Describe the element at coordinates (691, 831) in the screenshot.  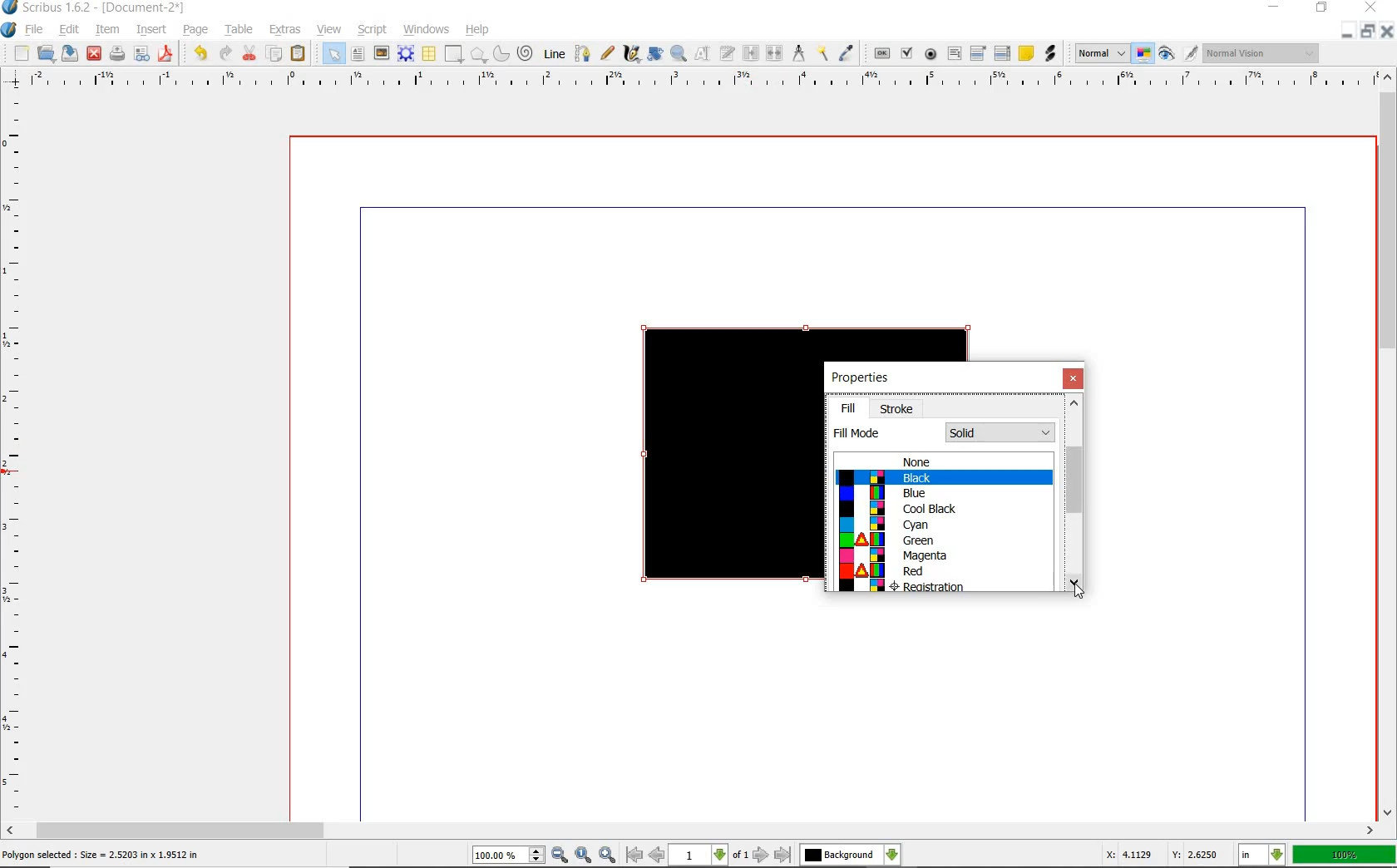
I see `scrollbar` at that location.